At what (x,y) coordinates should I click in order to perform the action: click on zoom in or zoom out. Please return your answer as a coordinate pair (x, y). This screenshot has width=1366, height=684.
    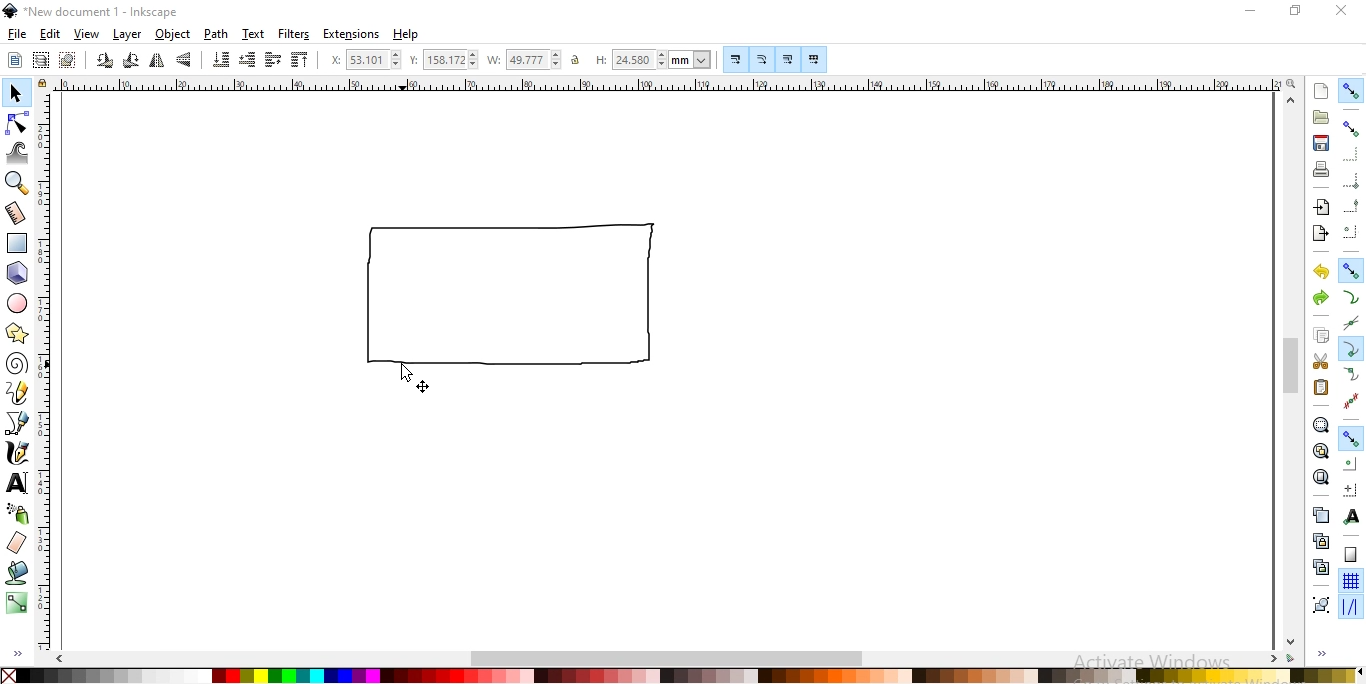
    Looking at the image, I should click on (16, 184).